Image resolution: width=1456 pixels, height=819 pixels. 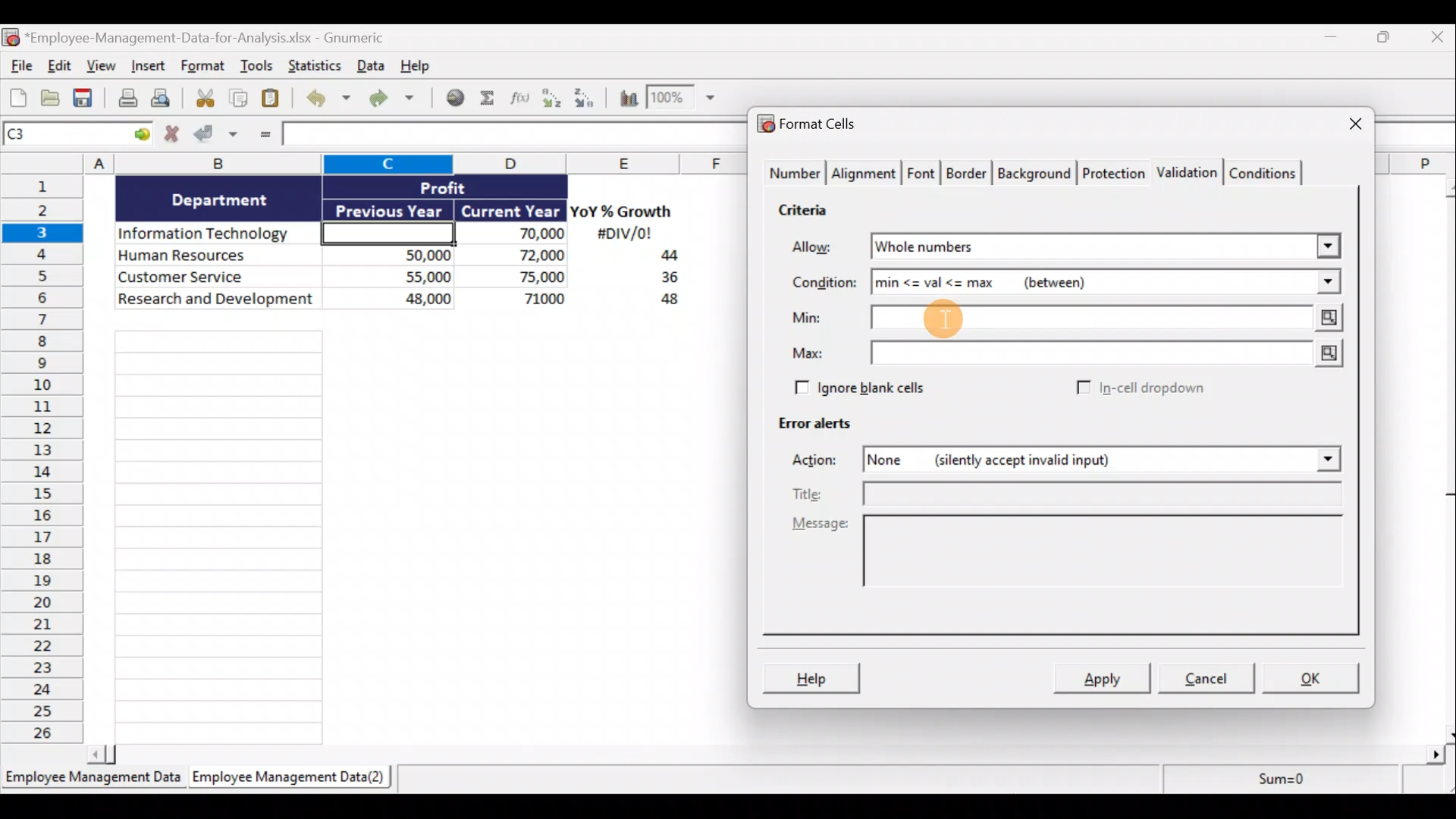 What do you see at coordinates (468, 187) in the screenshot?
I see `Profit` at bounding box center [468, 187].